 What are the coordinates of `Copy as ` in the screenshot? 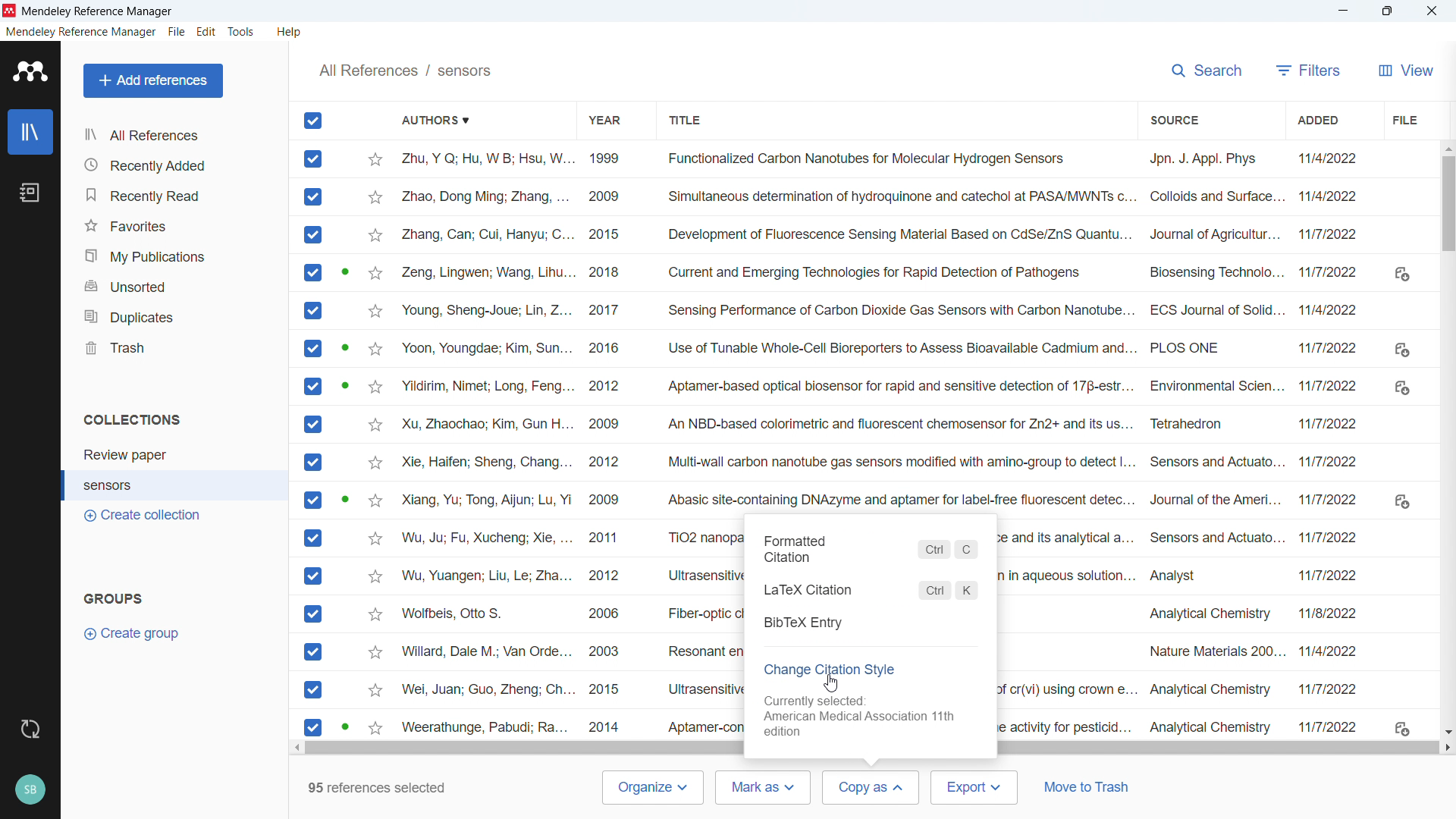 It's located at (871, 788).